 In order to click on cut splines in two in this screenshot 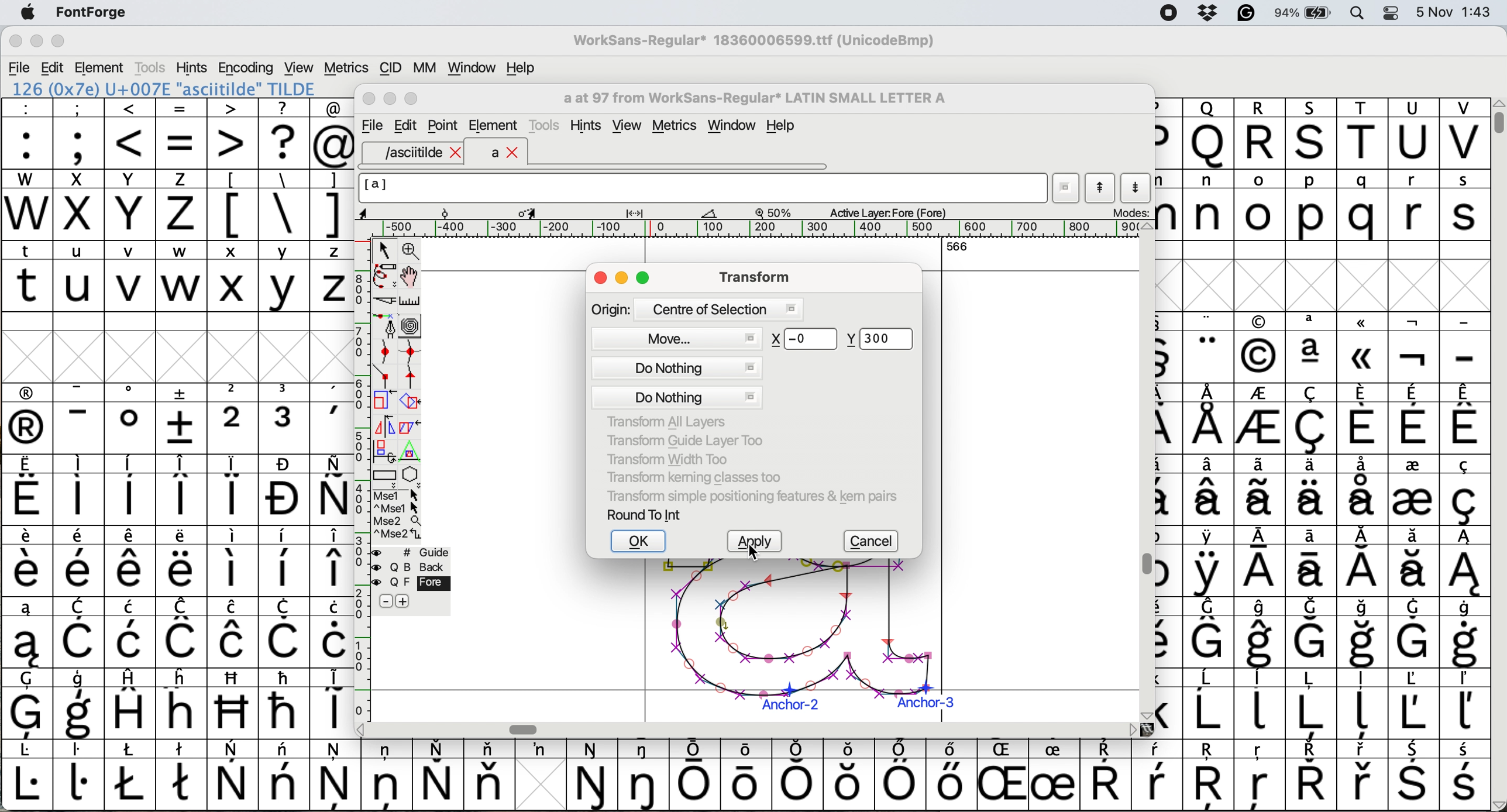, I will do `click(386, 302)`.